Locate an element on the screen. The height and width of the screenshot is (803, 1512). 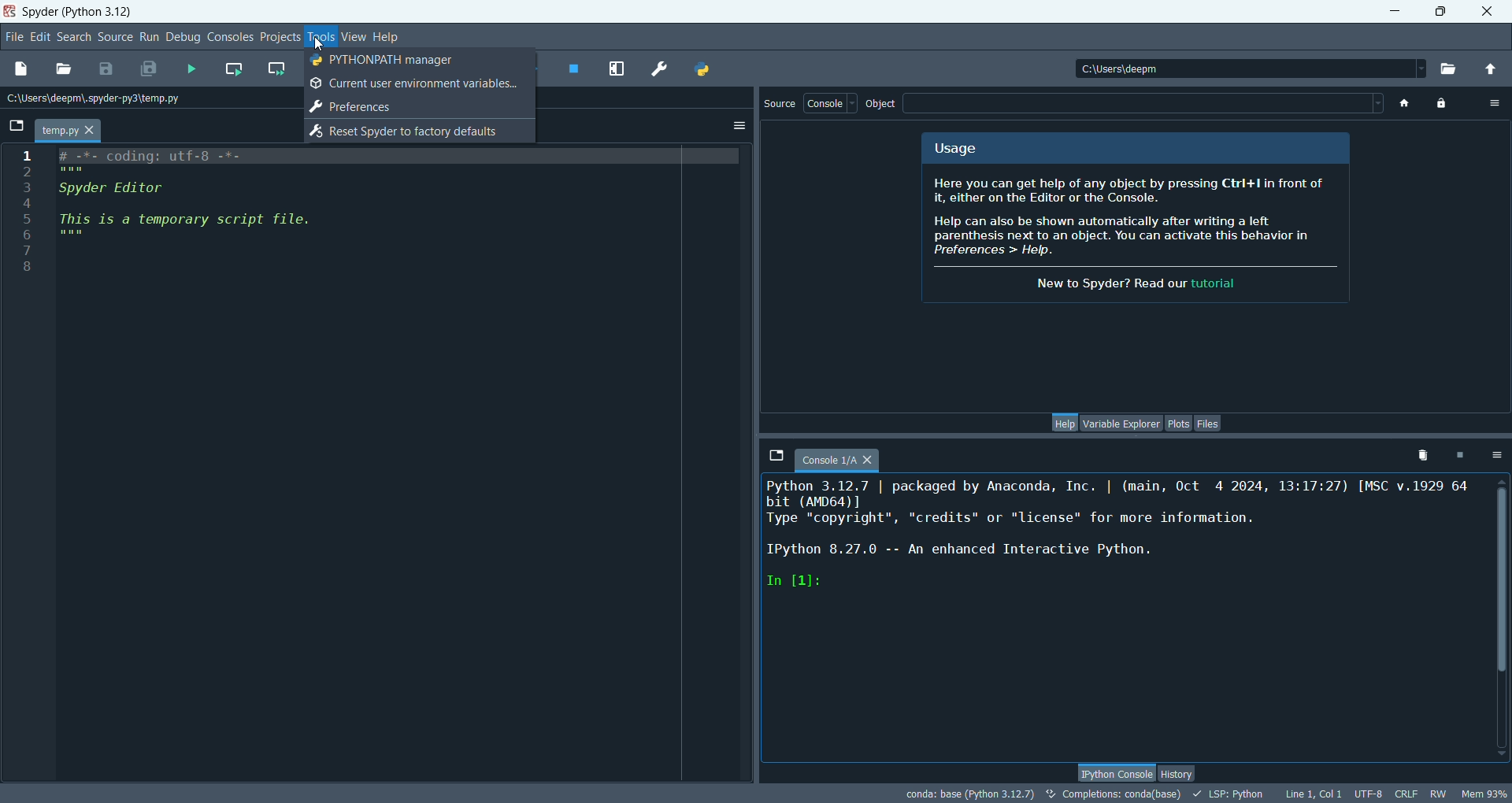
save is located at coordinates (108, 69).